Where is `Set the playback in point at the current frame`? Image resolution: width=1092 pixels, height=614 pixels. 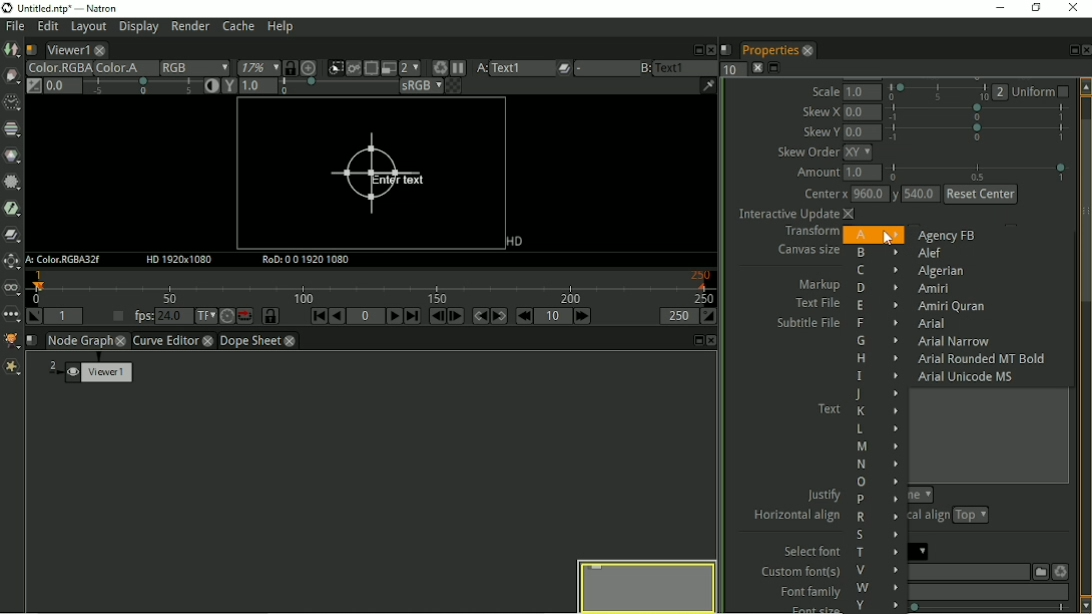 Set the playback in point at the current frame is located at coordinates (33, 316).